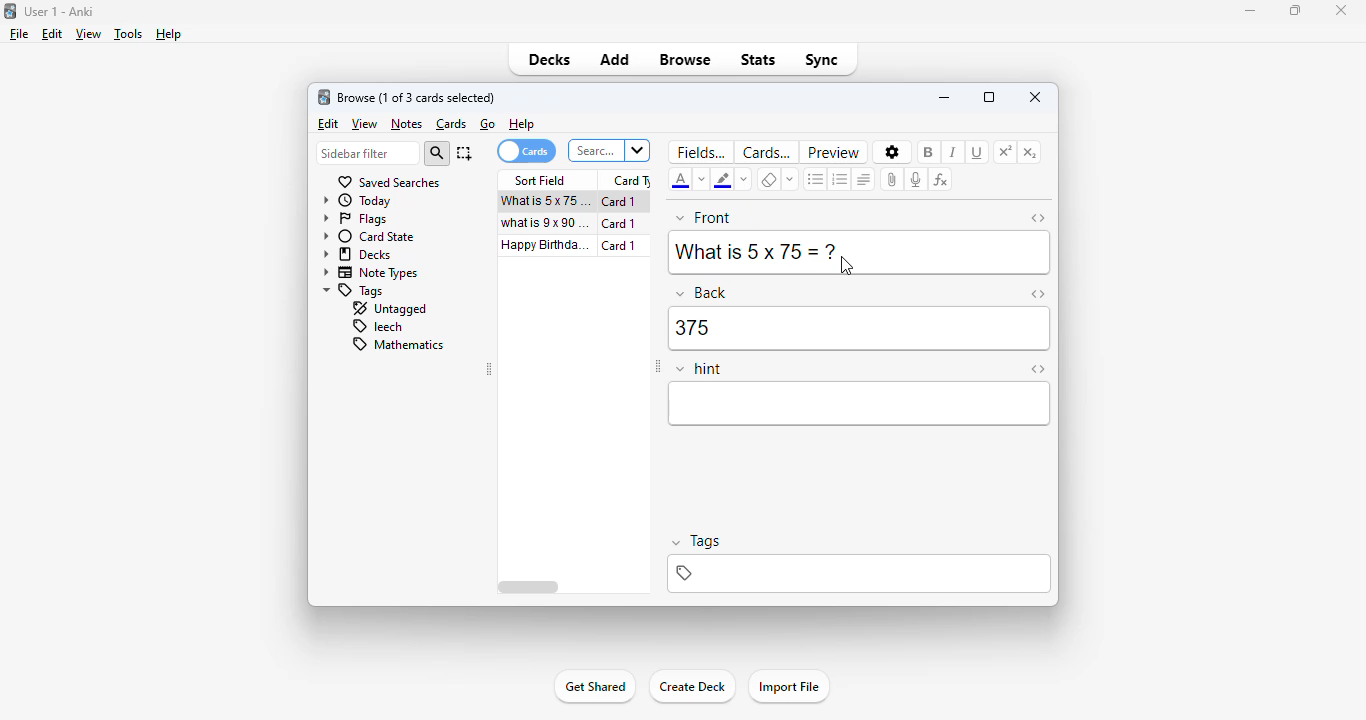  What do you see at coordinates (53, 35) in the screenshot?
I see `edit` at bounding box center [53, 35].